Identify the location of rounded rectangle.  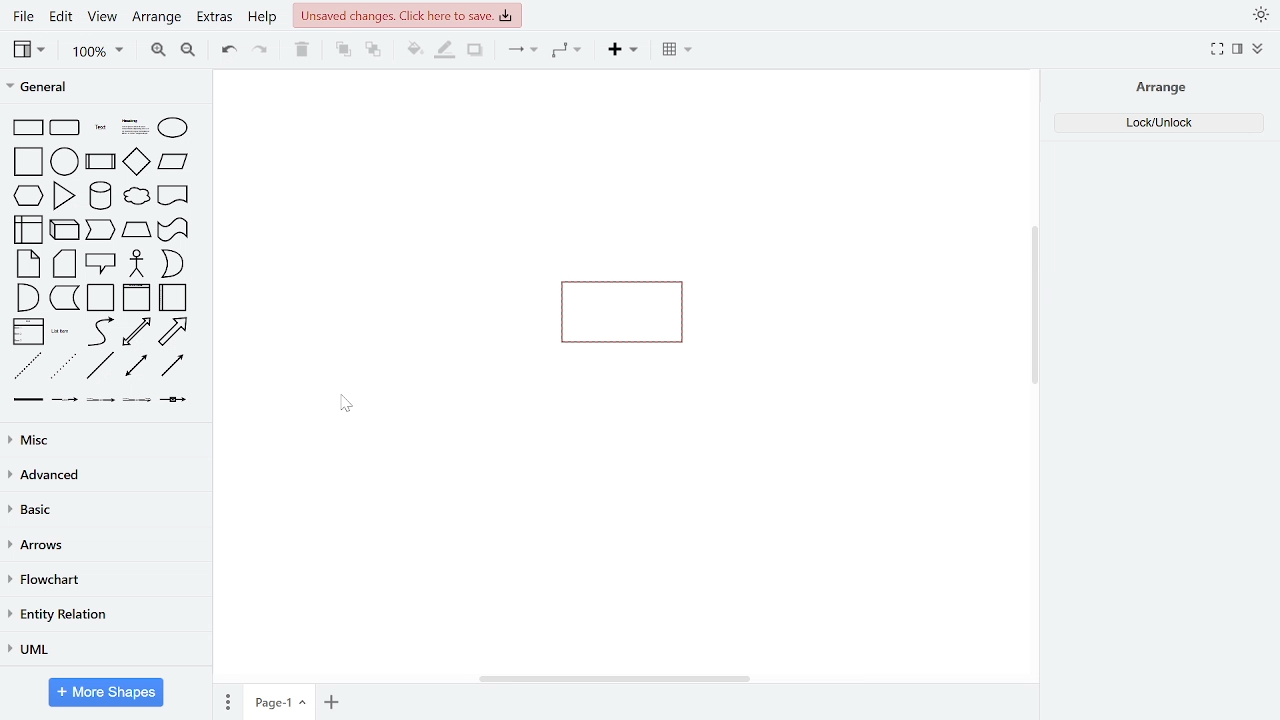
(65, 128).